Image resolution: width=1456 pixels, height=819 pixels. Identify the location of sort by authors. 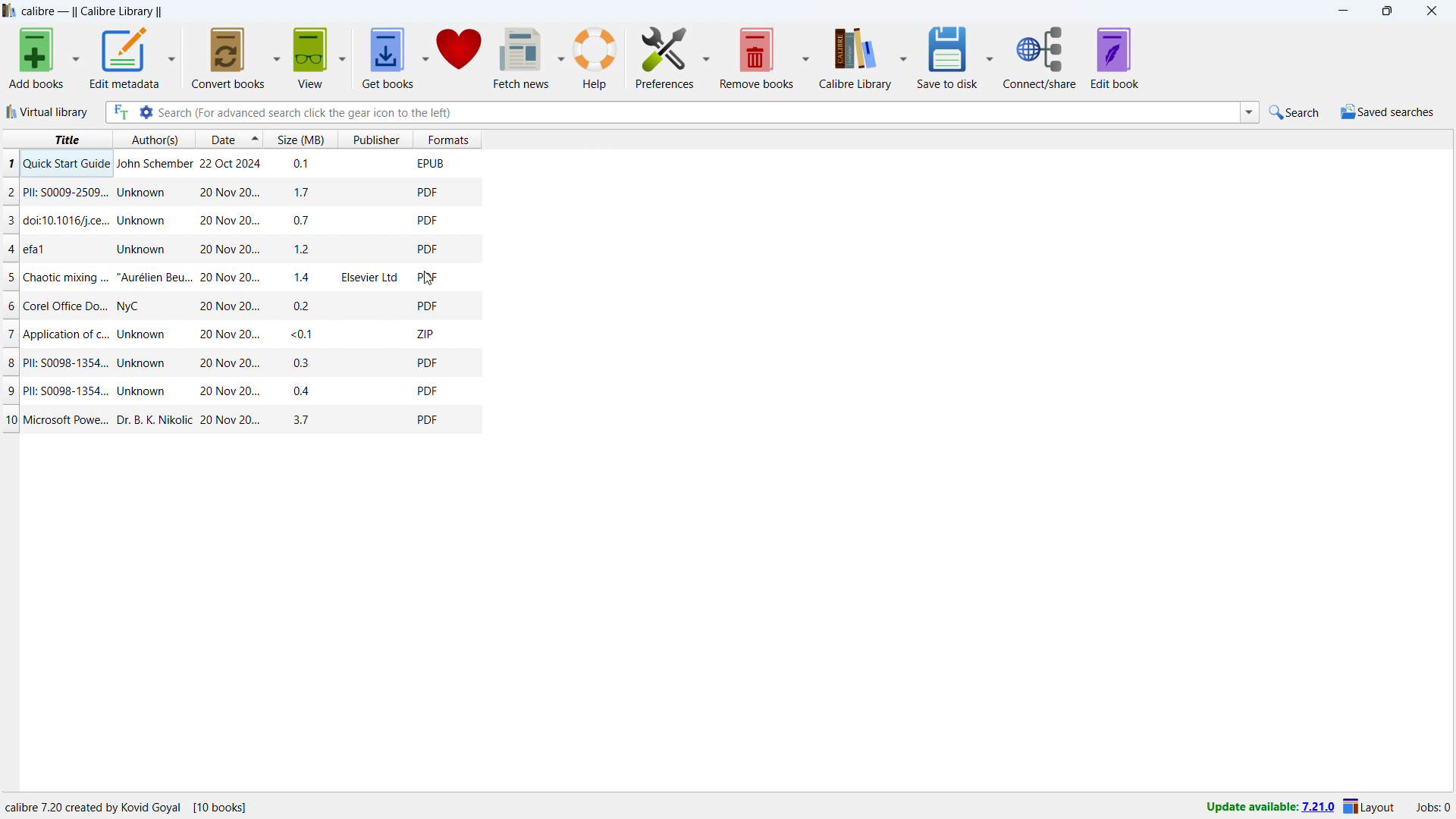
(155, 139).